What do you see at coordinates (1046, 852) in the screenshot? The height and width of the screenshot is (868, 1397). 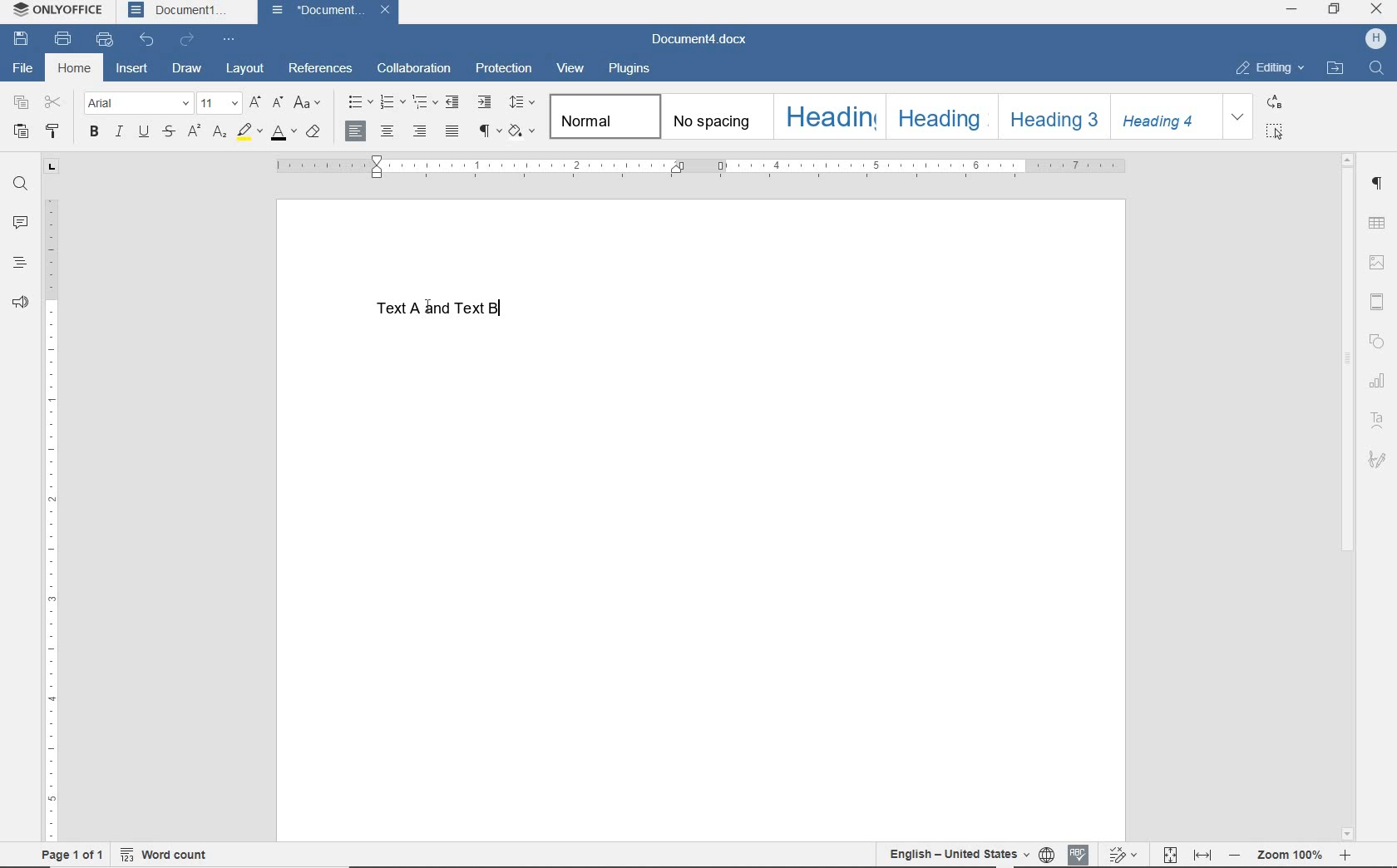 I see `SET DOCUMENT LANGUAGE` at bounding box center [1046, 852].